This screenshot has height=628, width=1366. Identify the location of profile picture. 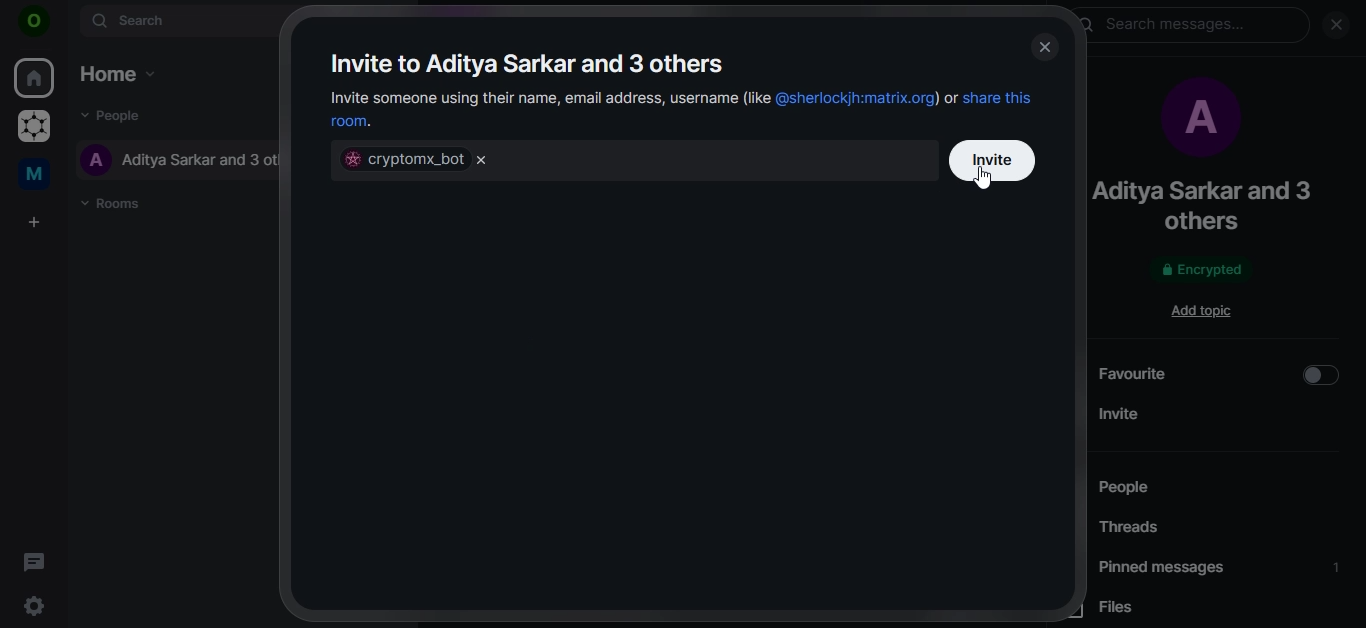
(1197, 121).